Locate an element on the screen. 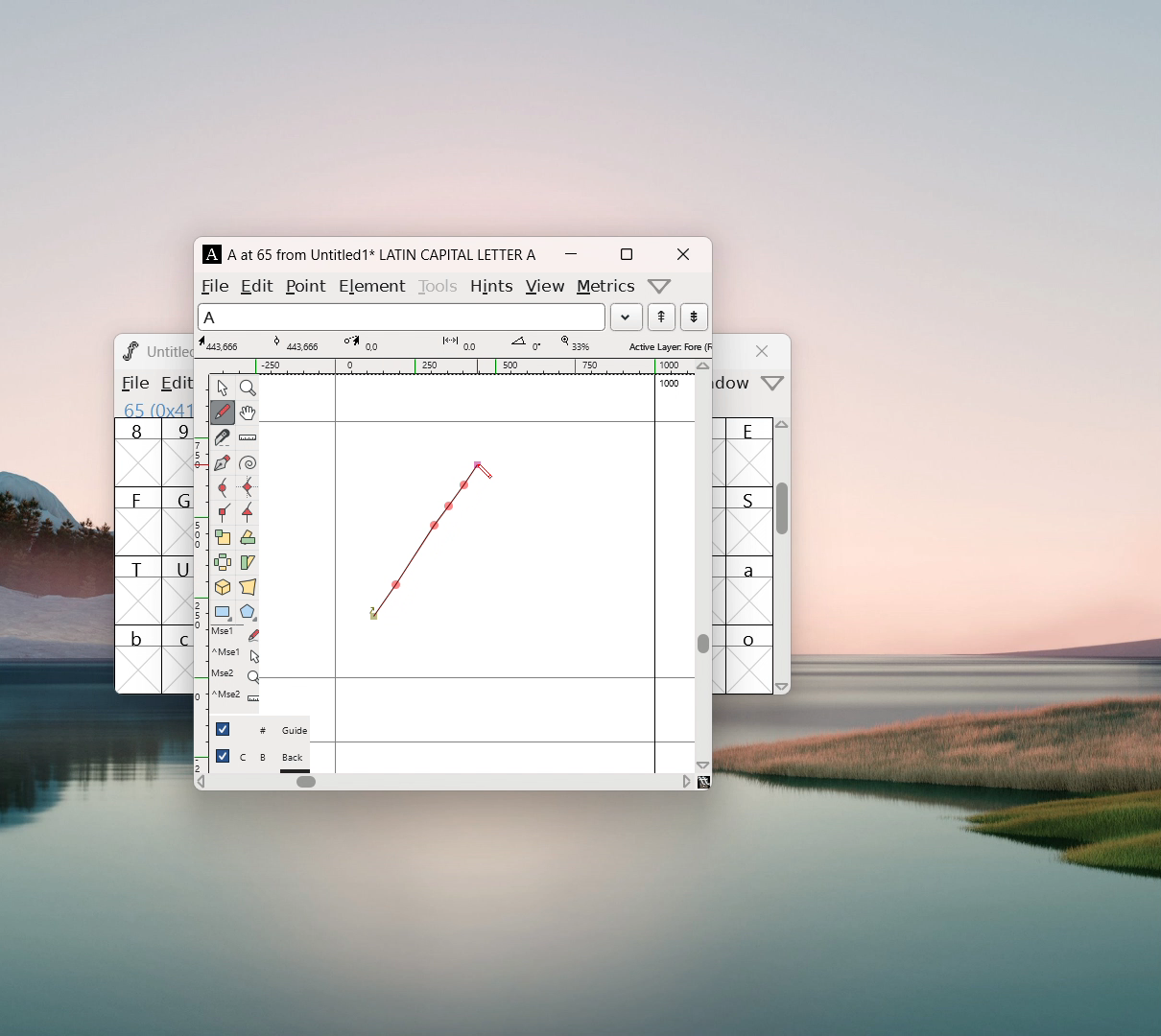 Image resolution: width=1161 pixels, height=1036 pixels. logo is located at coordinates (129, 350).